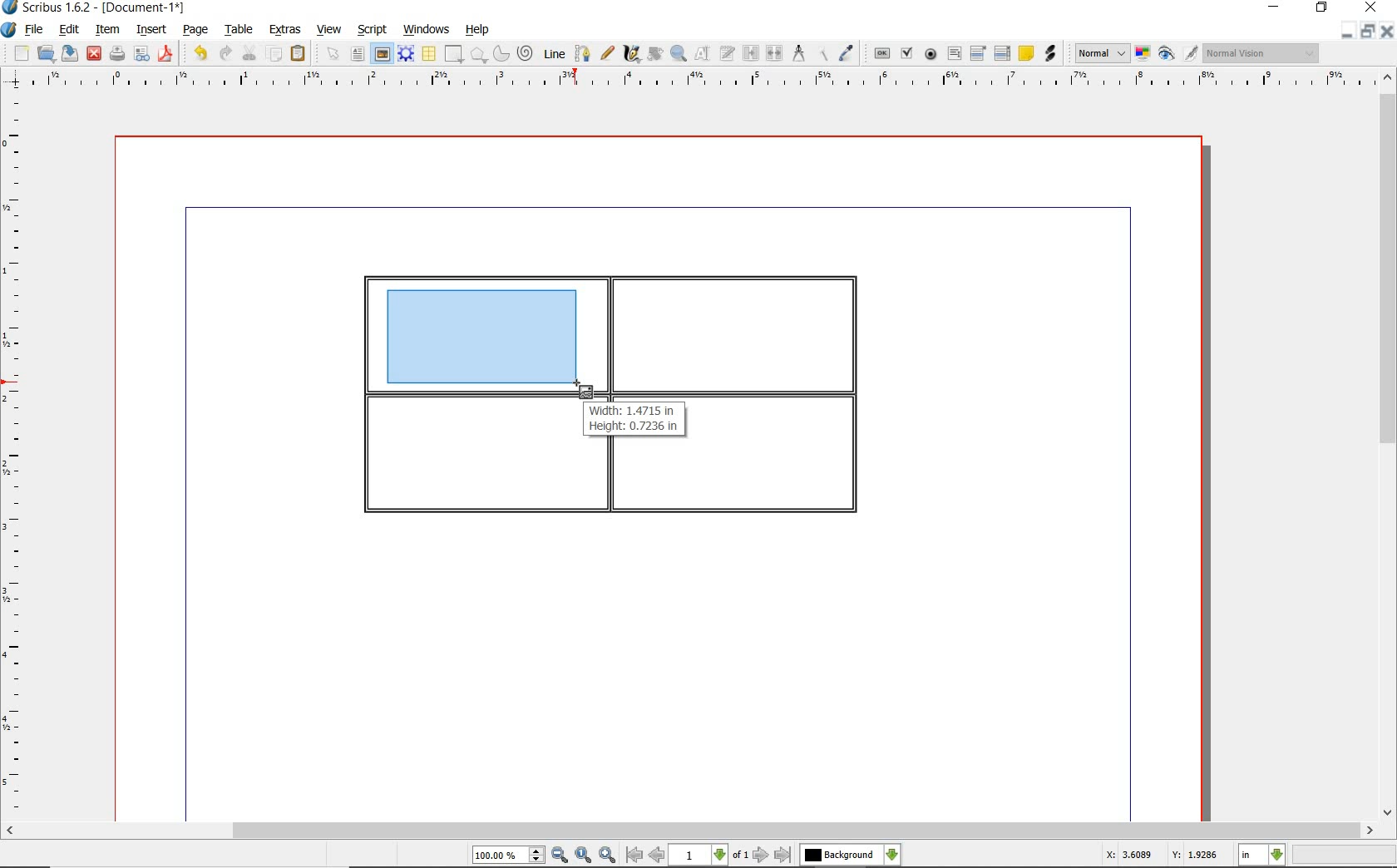 The width and height of the screenshot is (1397, 868). What do you see at coordinates (1262, 855) in the screenshot?
I see `select measurement` at bounding box center [1262, 855].